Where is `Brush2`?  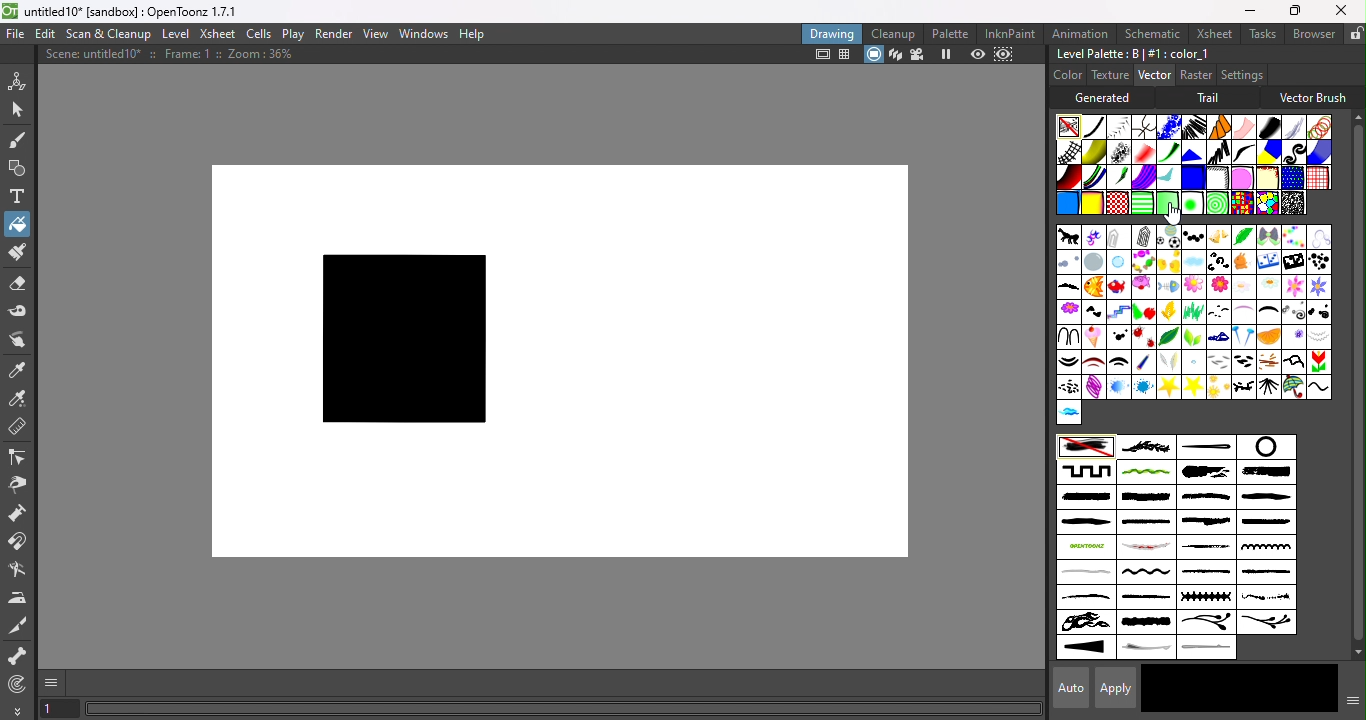
Brush2 is located at coordinates (1317, 237).